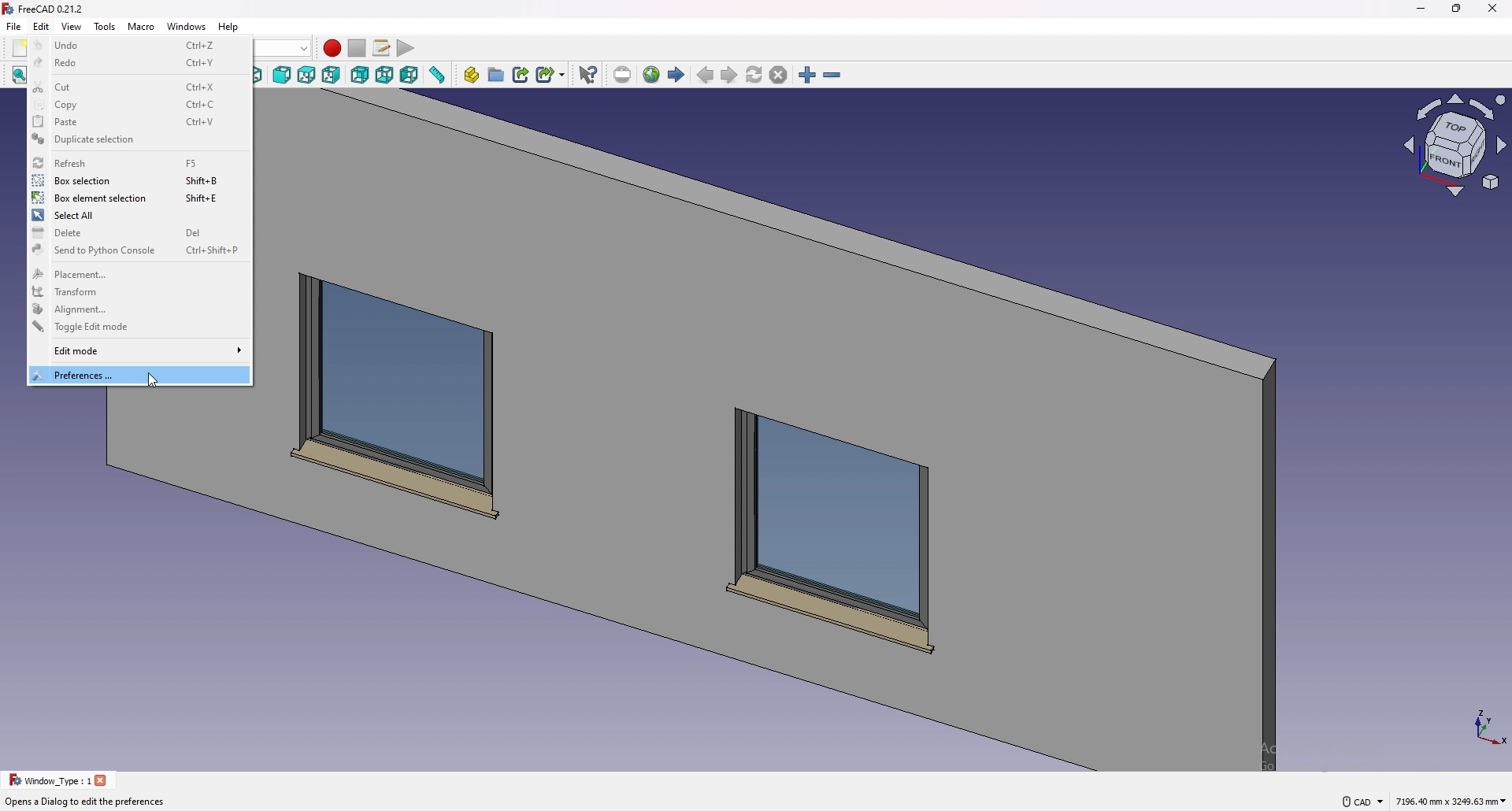 Image resolution: width=1512 pixels, height=811 pixels. What do you see at coordinates (139, 44) in the screenshot?
I see `undo  Ctrl+Z` at bounding box center [139, 44].